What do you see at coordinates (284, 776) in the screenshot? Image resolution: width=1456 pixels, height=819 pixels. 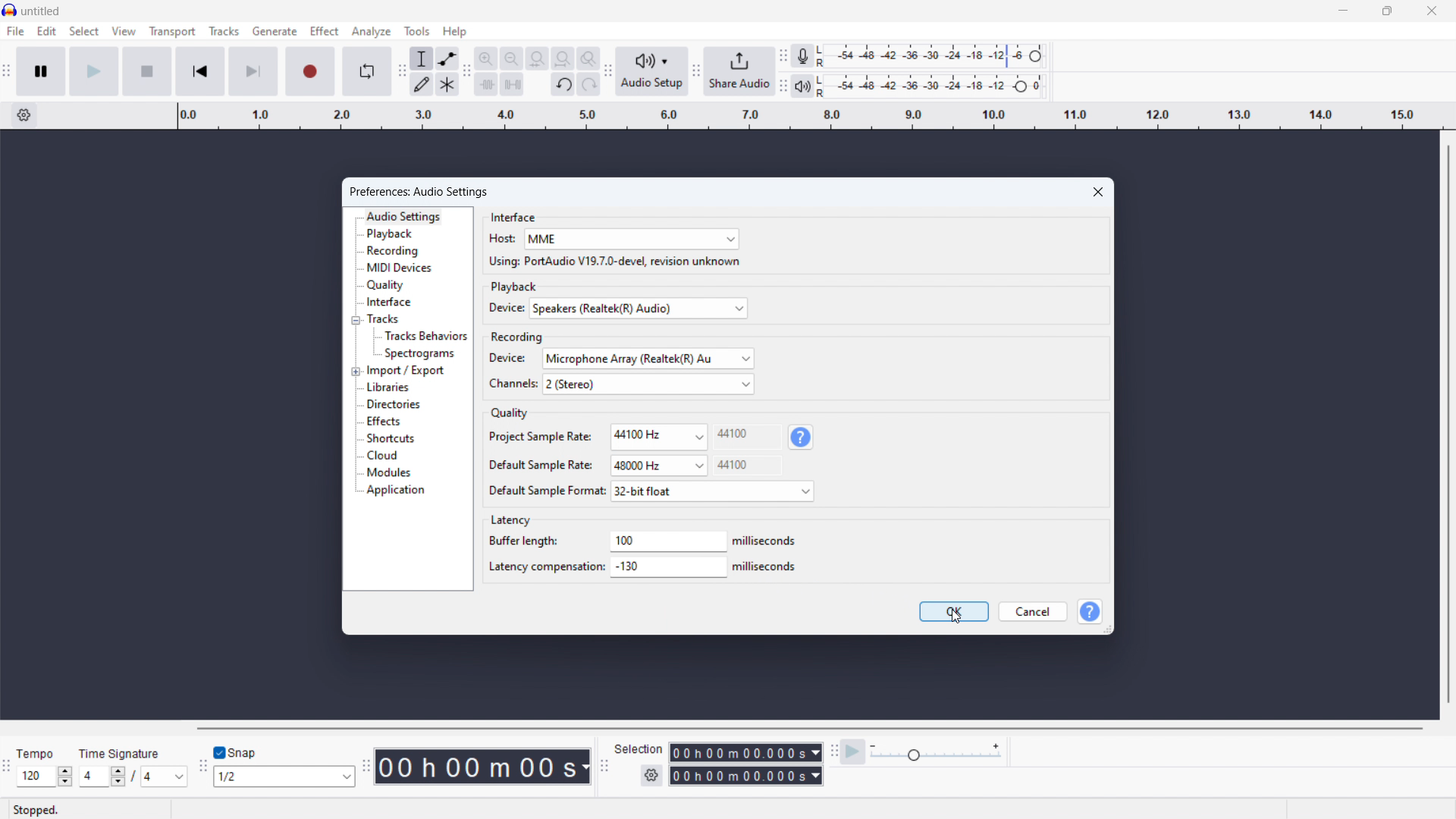 I see `set snapping` at bounding box center [284, 776].